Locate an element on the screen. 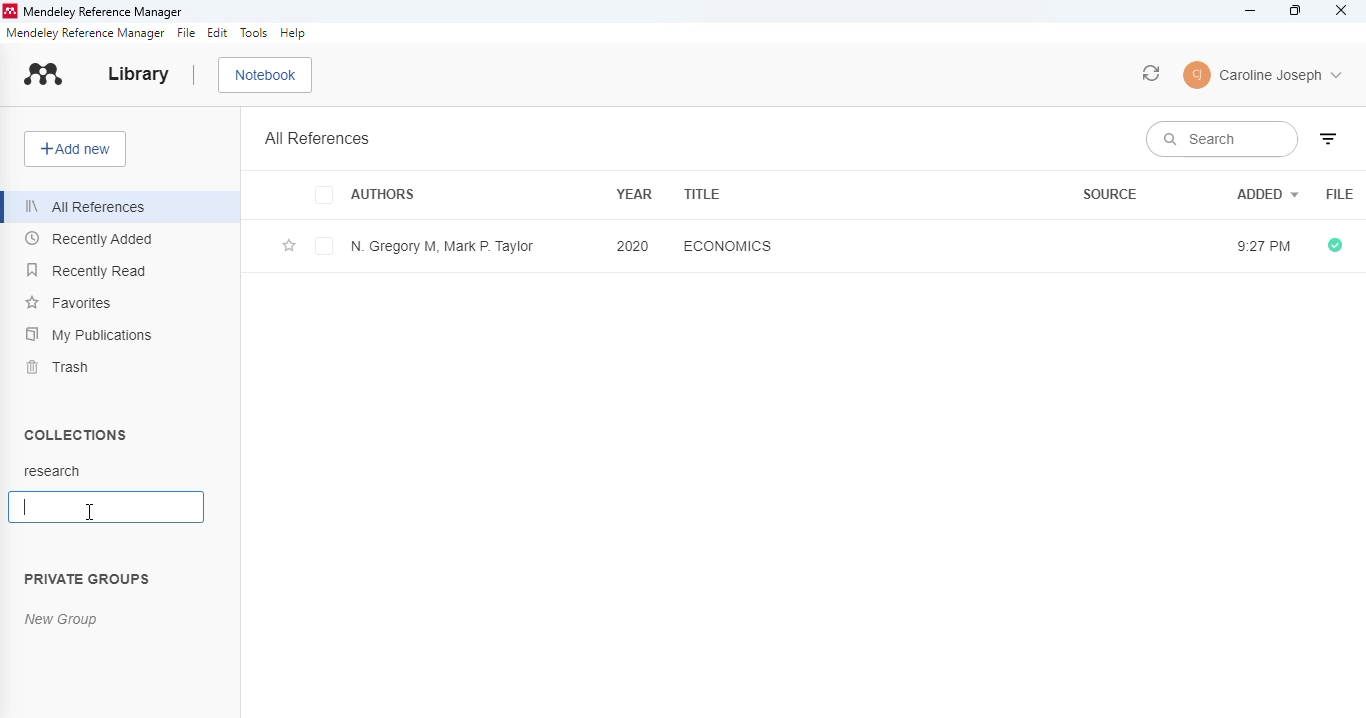 The image size is (1366, 718). recently added is located at coordinates (89, 240).